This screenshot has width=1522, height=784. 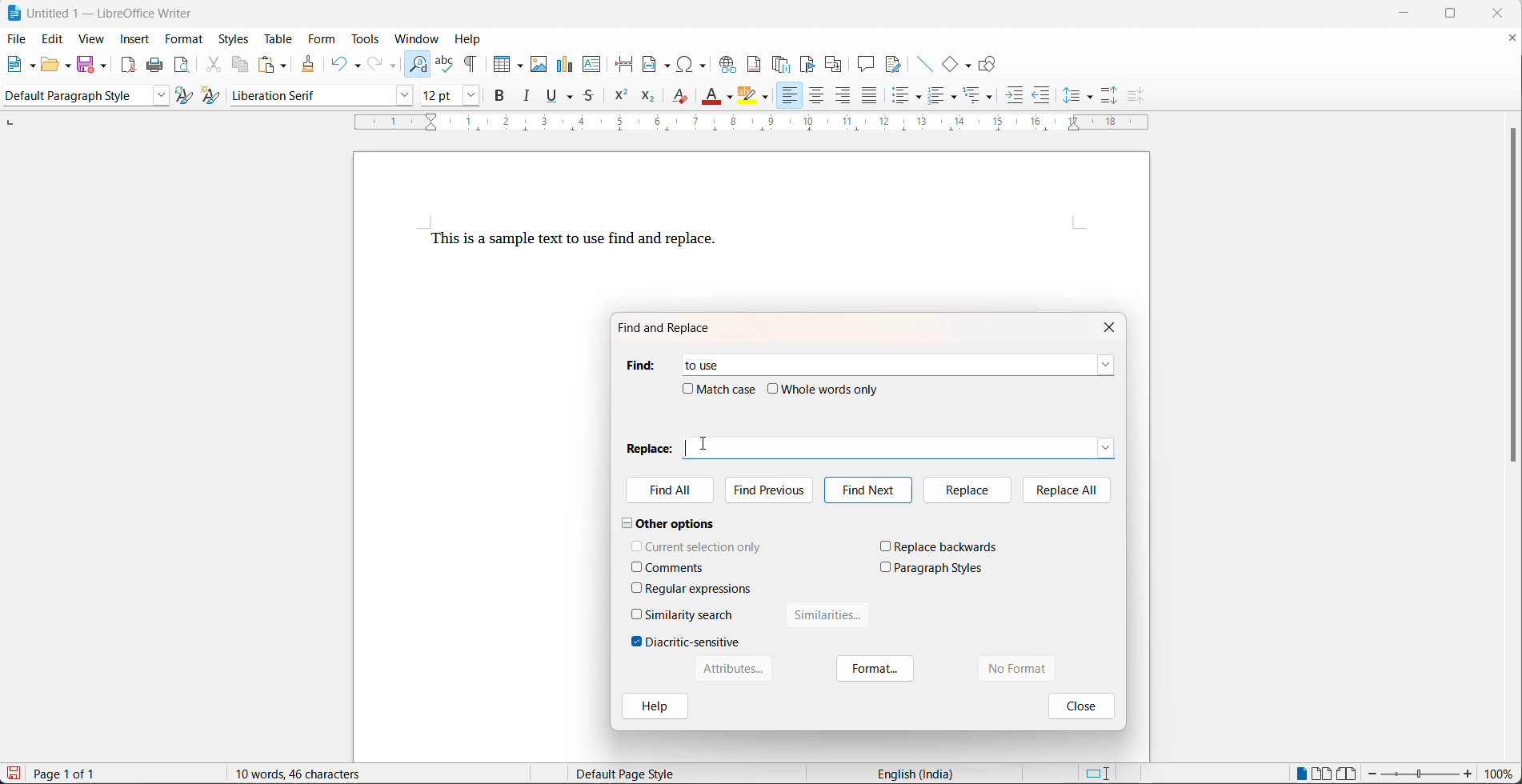 I want to click on zoom slider, so click(x=1420, y=774).